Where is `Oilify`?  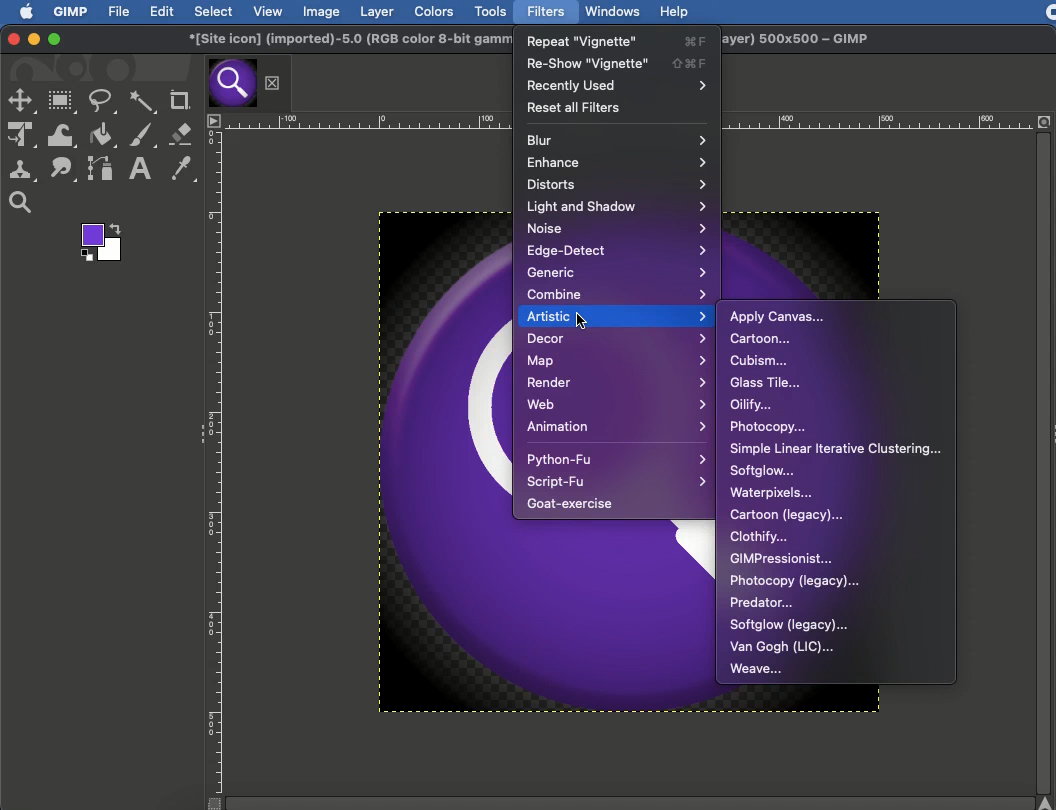
Oilify is located at coordinates (755, 404).